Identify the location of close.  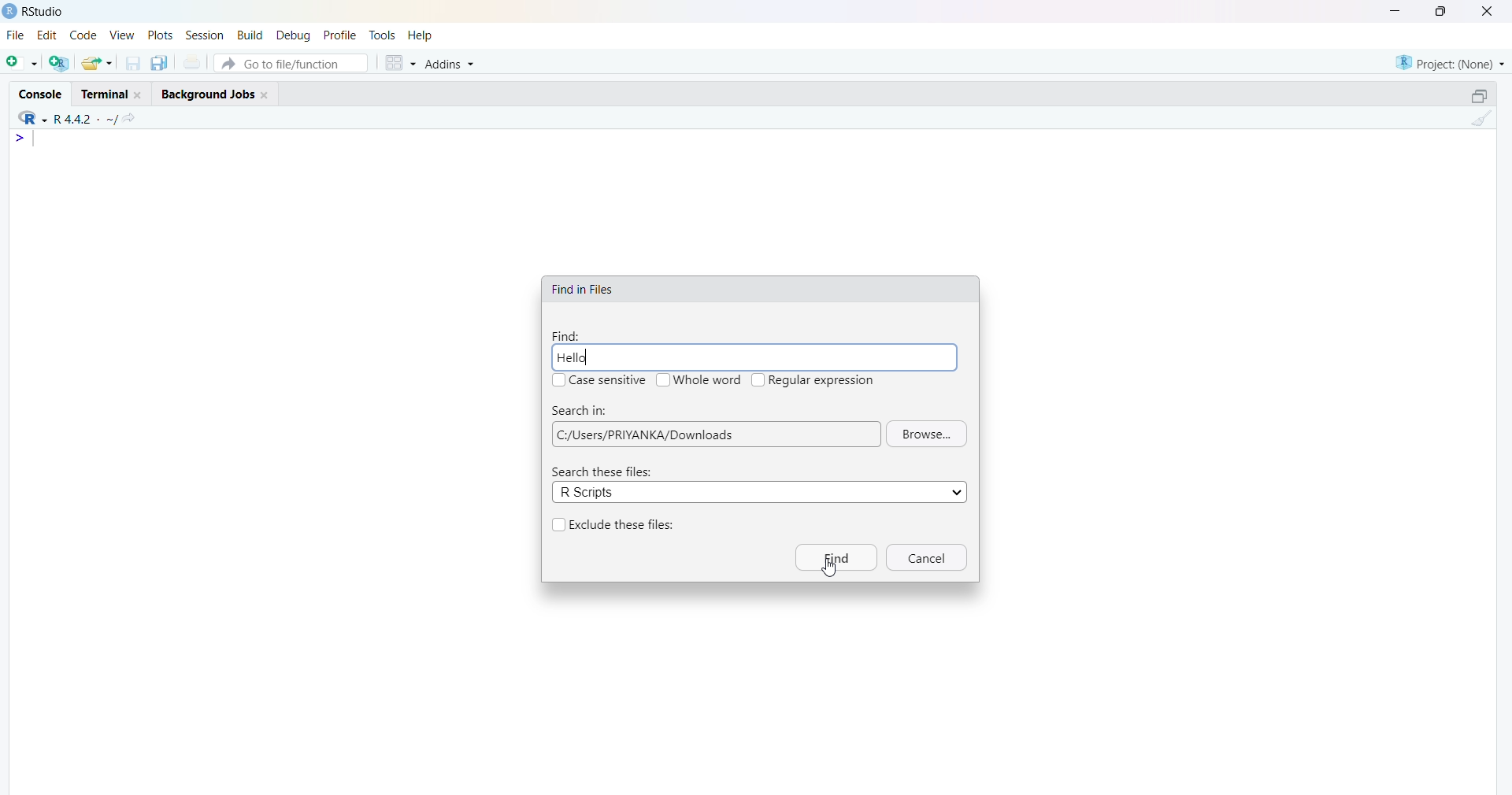
(267, 95).